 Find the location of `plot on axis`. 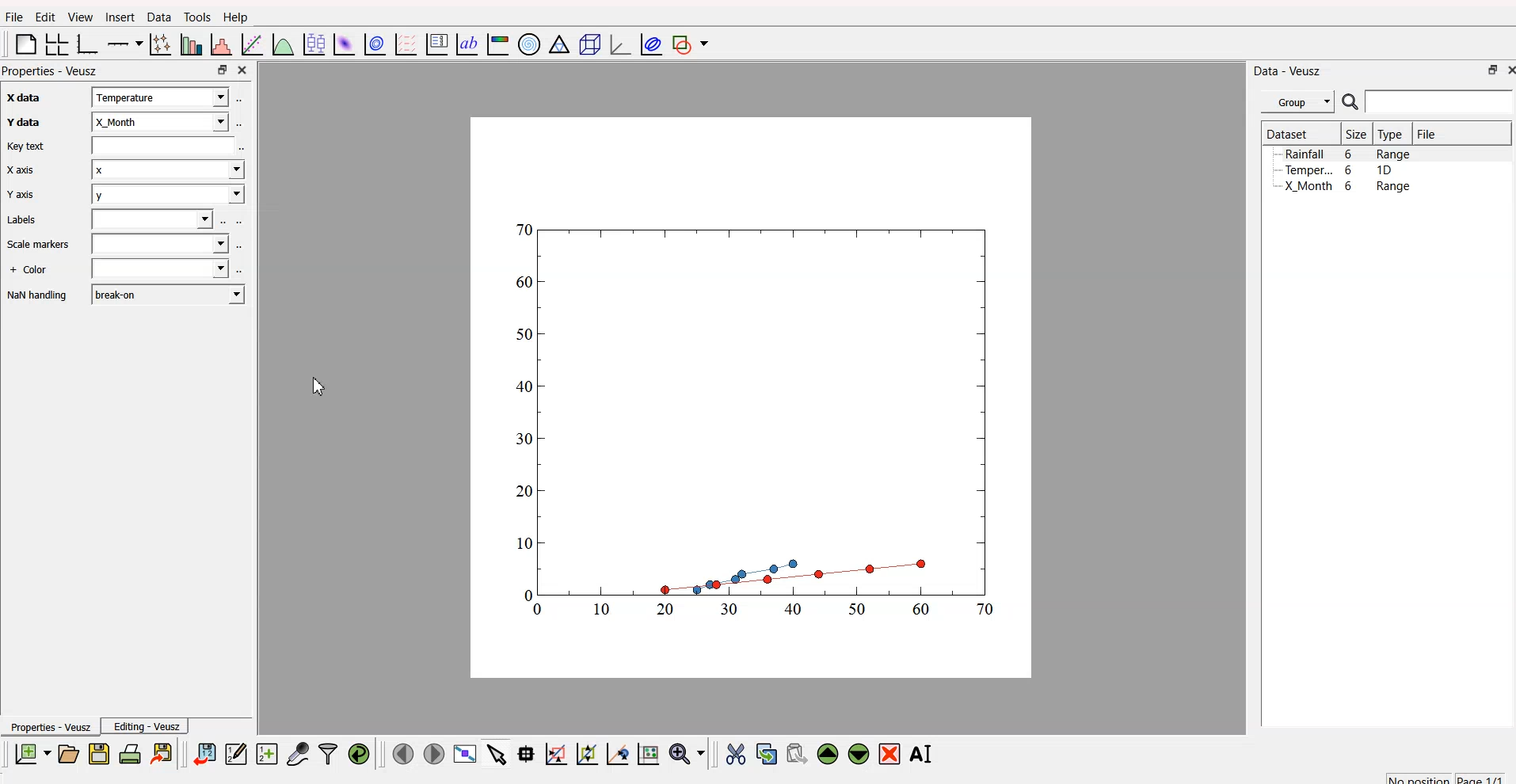

plot on axis is located at coordinates (126, 43).